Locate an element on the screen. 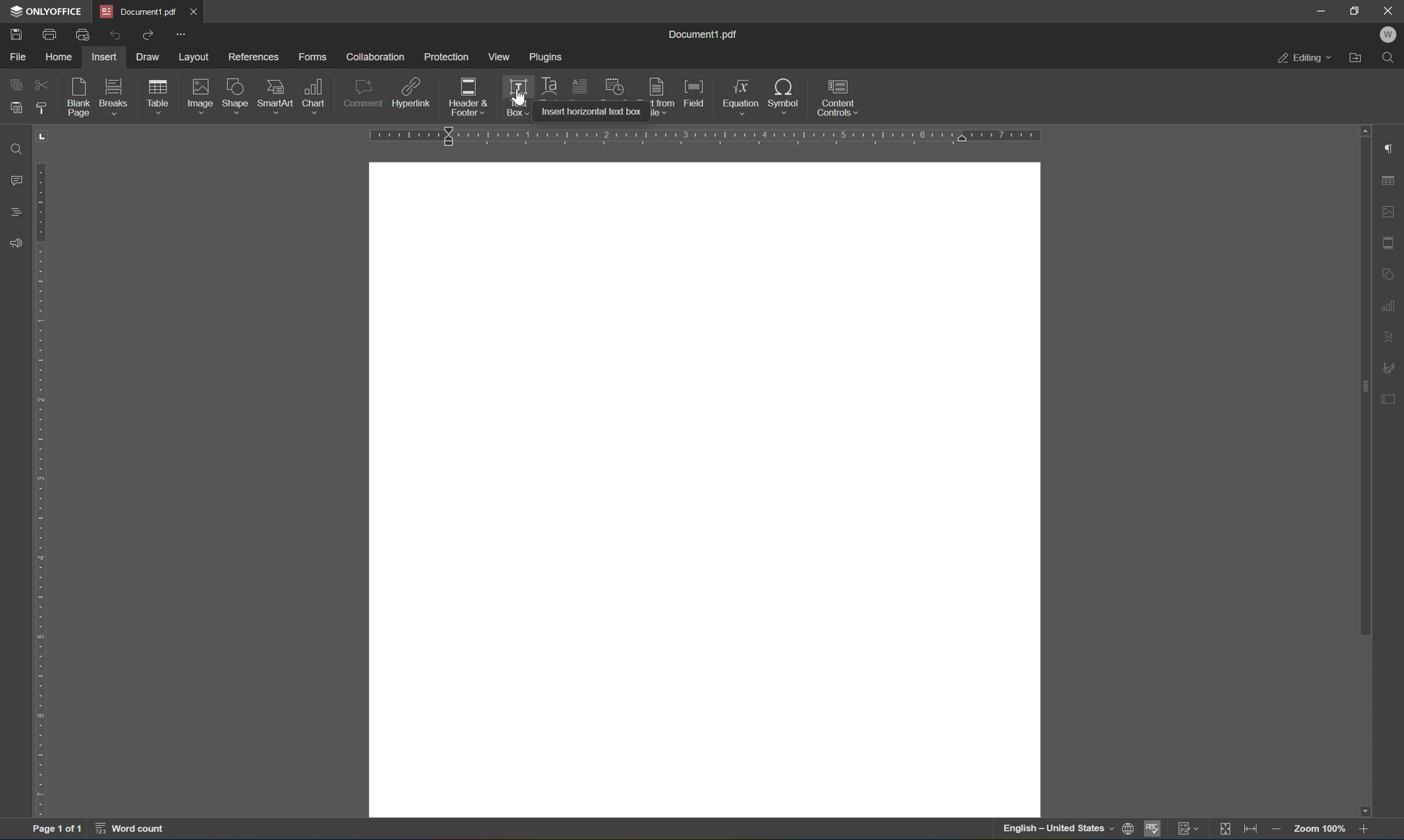 Image resolution: width=1404 pixels, height=840 pixels. zoom in is located at coordinates (1279, 830).